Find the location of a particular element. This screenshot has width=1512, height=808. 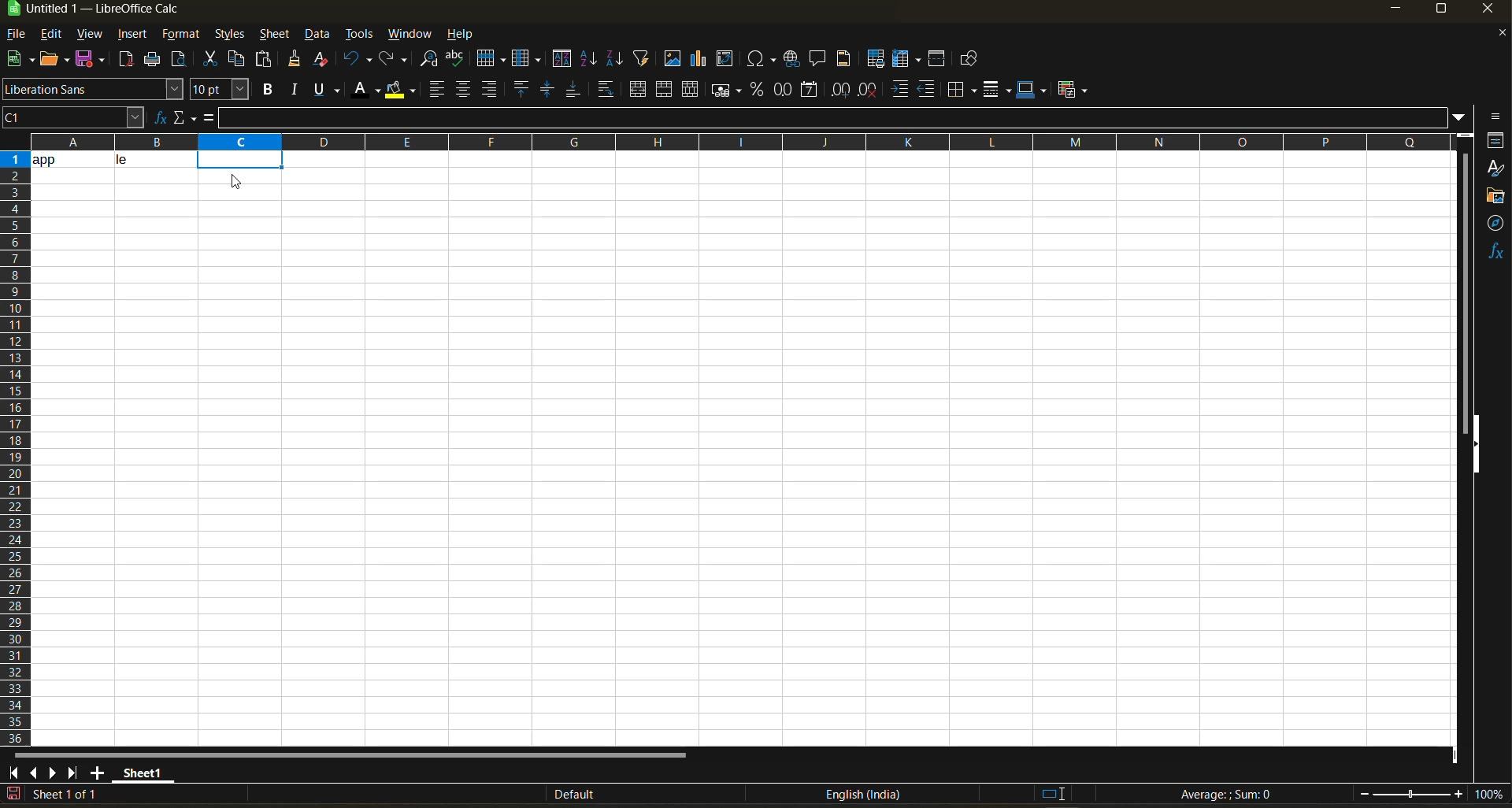

insert comment is located at coordinates (818, 59).